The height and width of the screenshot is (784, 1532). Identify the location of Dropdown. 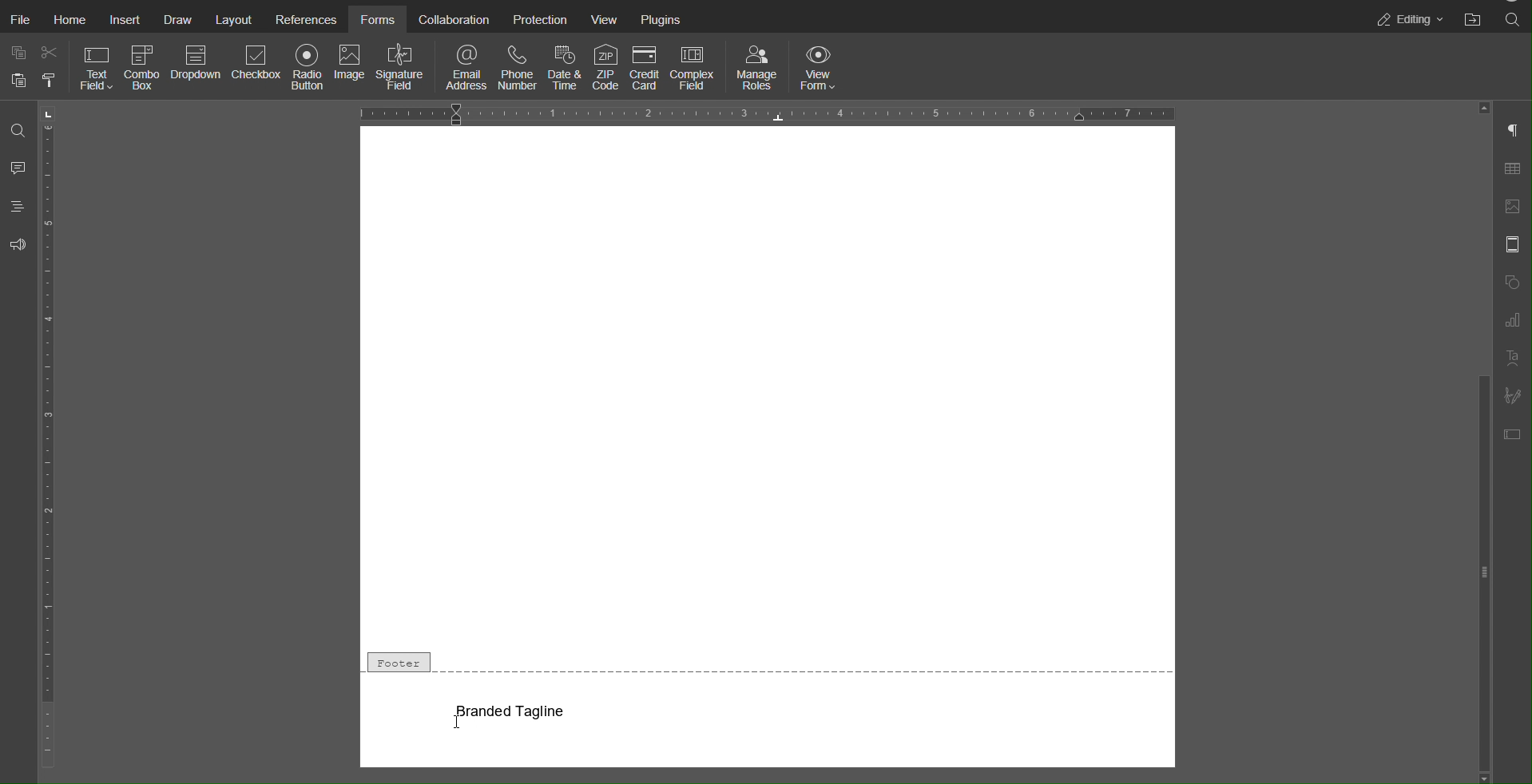
(196, 69).